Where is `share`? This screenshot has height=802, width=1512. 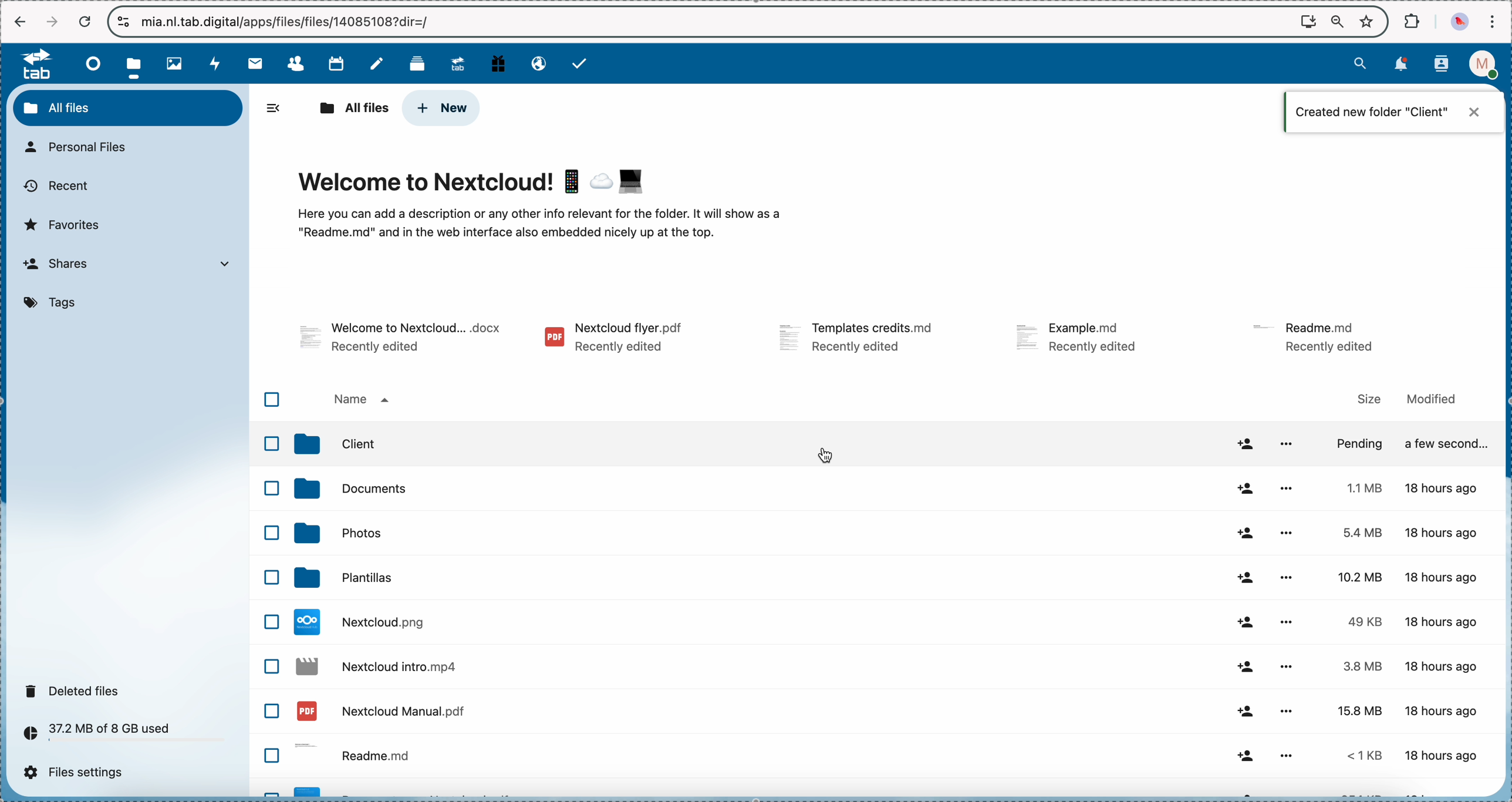
share is located at coordinates (1245, 754).